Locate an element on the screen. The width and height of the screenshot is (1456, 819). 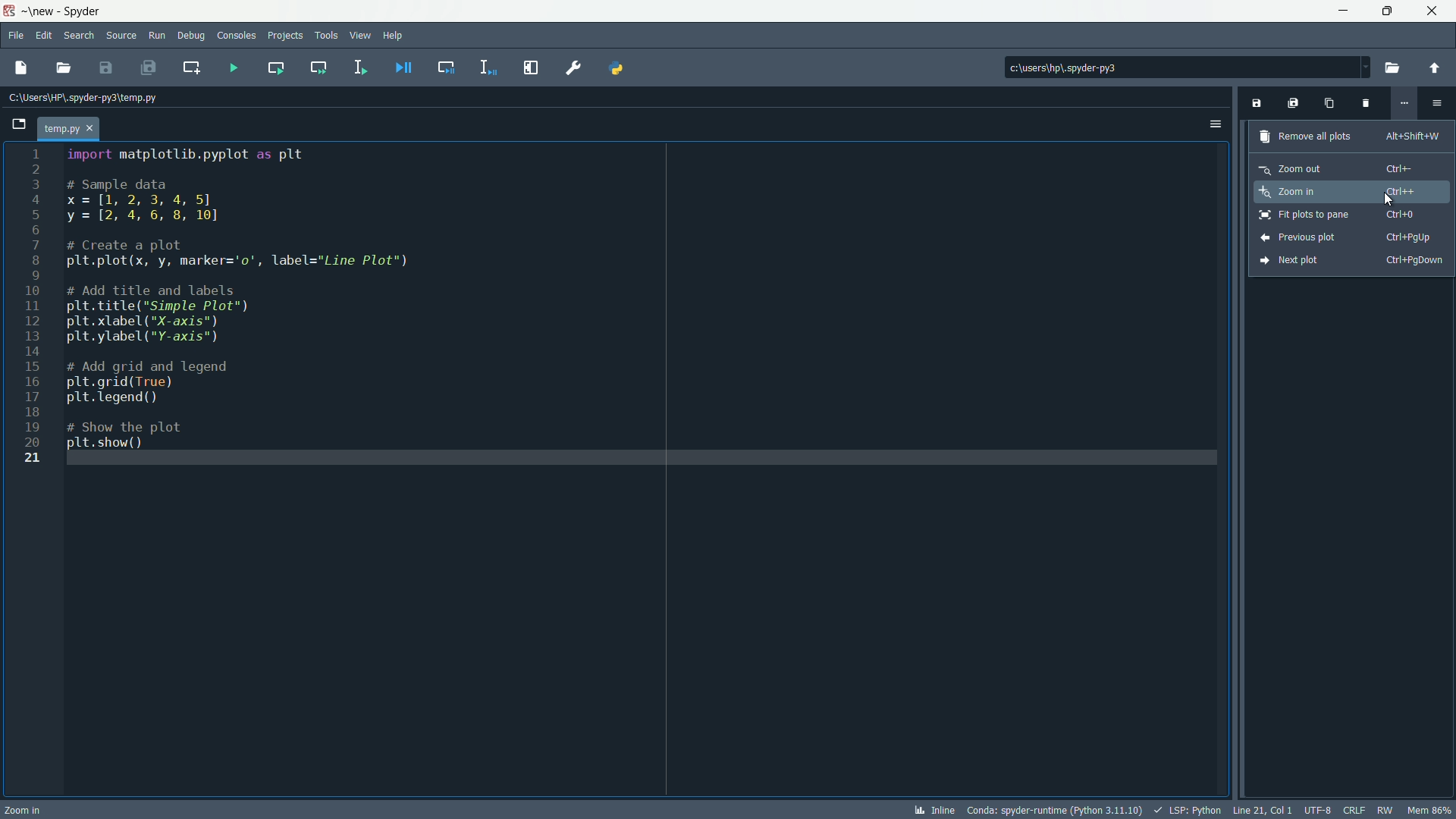
lsp:python is located at coordinates (1190, 810).